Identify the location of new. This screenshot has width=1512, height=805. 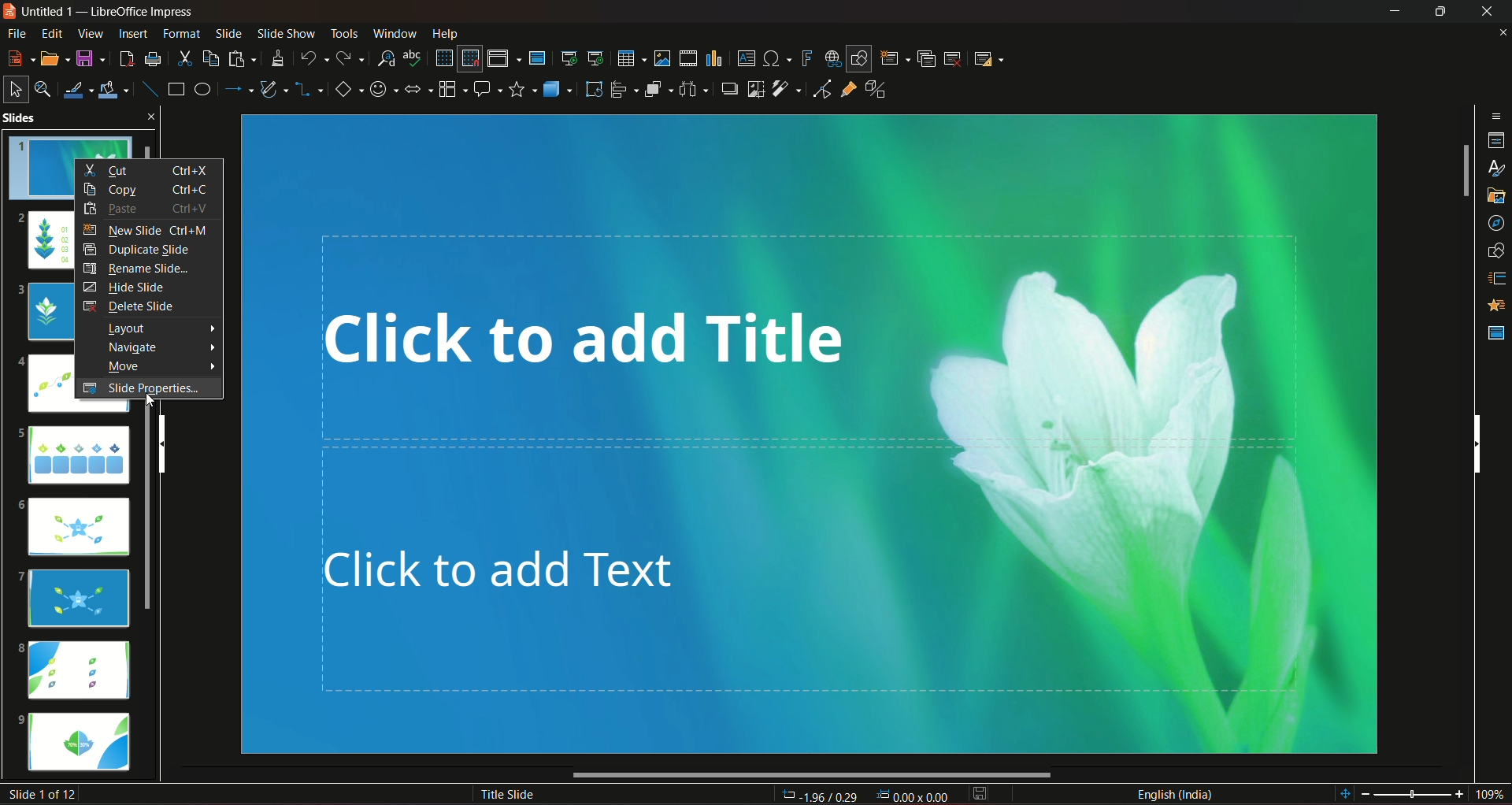
(20, 57).